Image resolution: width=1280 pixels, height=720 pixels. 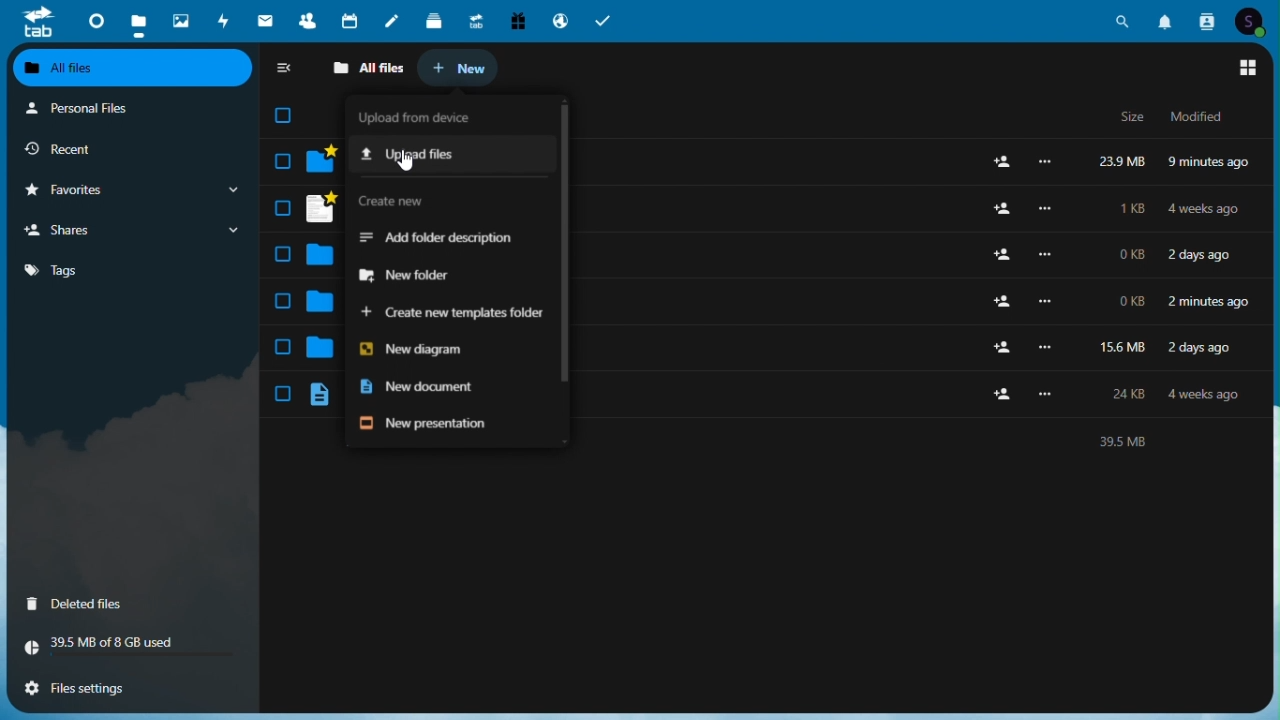 What do you see at coordinates (93, 606) in the screenshot?
I see `Deleted files` at bounding box center [93, 606].